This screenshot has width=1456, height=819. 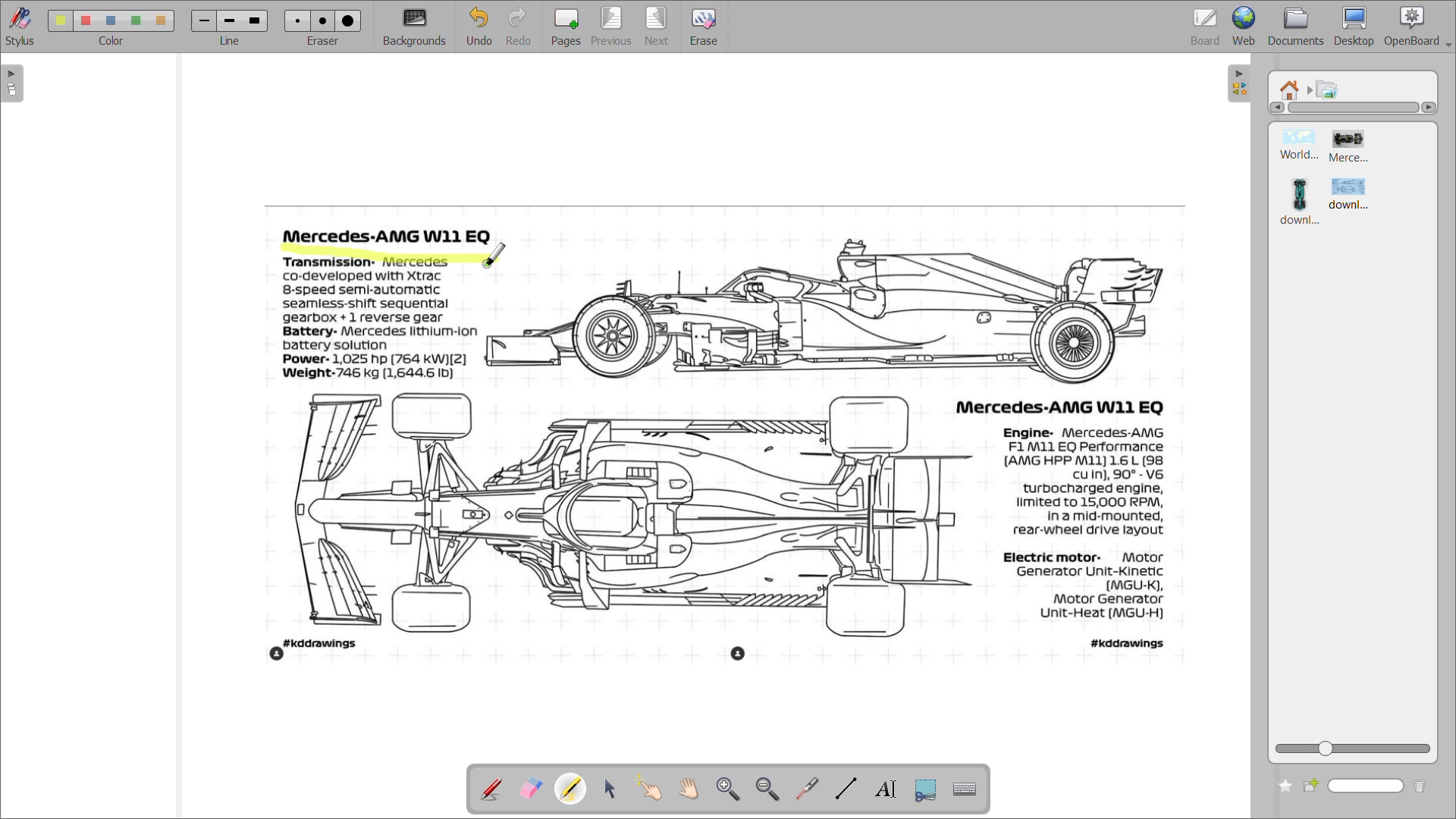 I want to click on eraser 1, so click(x=298, y=20).